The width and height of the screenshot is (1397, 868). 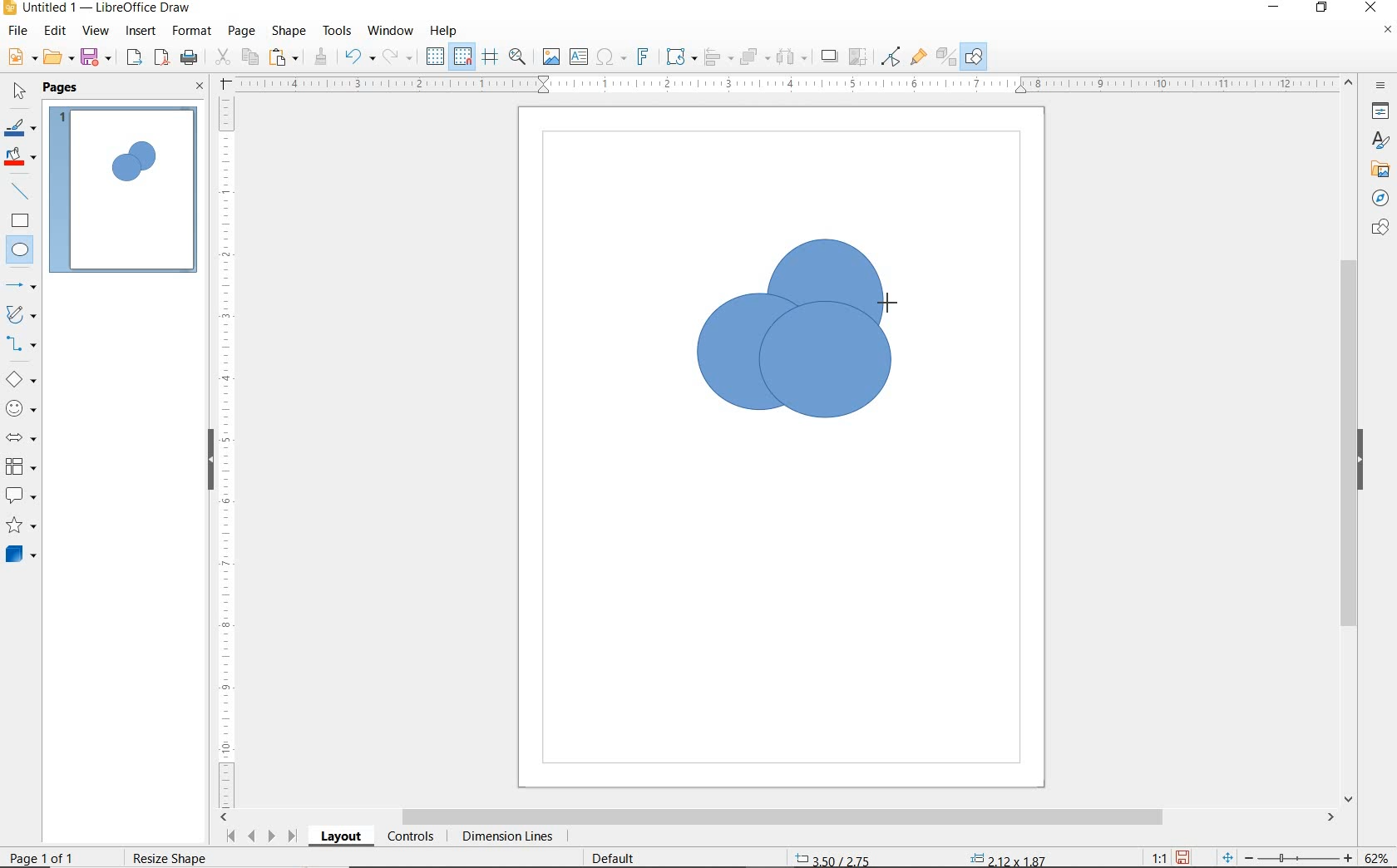 I want to click on SIDEBAR SETTINGS, so click(x=1381, y=86).